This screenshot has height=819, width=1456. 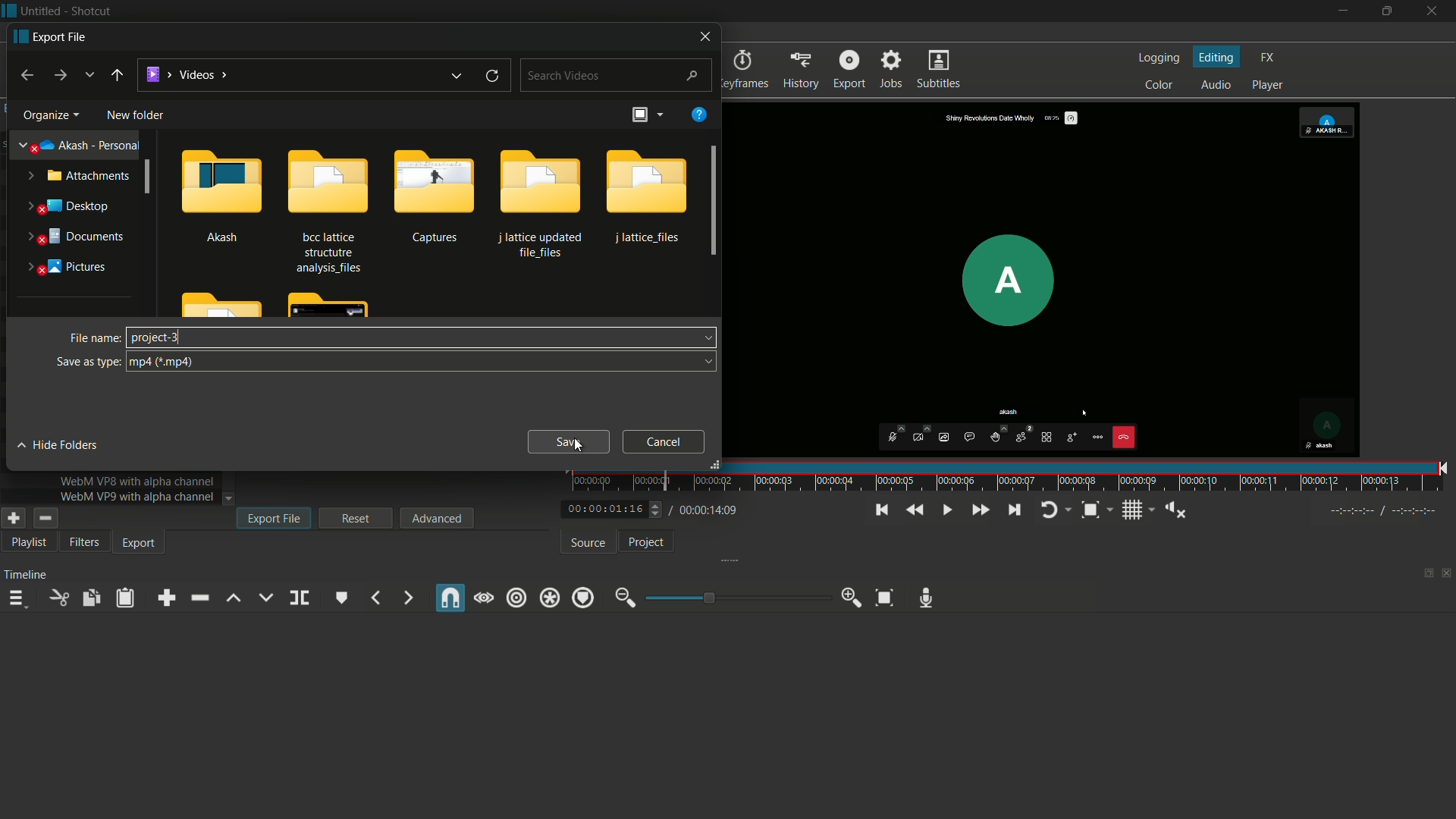 I want to click on folder-3, so click(x=434, y=194).